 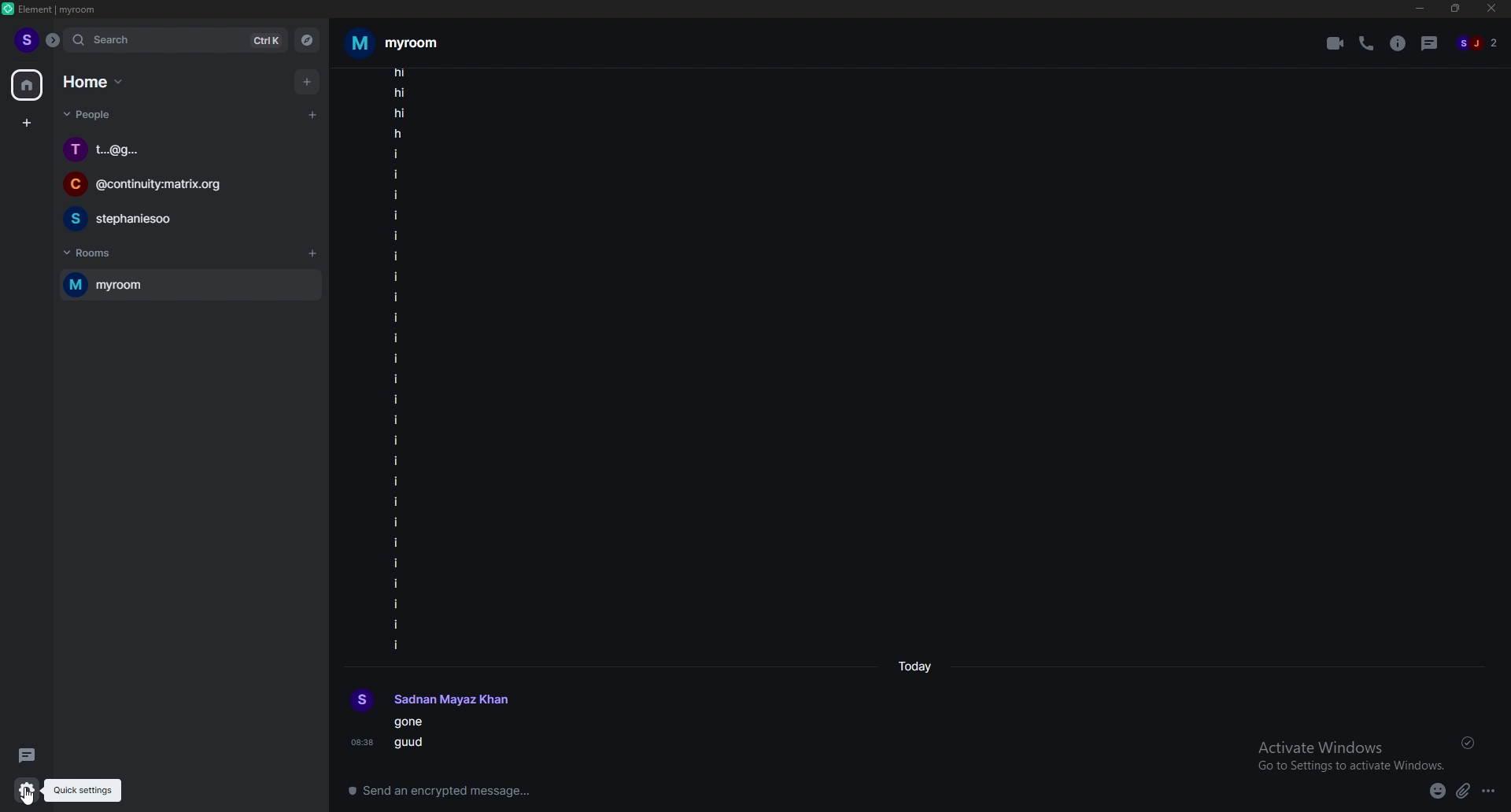 I want to click on room info, so click(x=1398, y=43).